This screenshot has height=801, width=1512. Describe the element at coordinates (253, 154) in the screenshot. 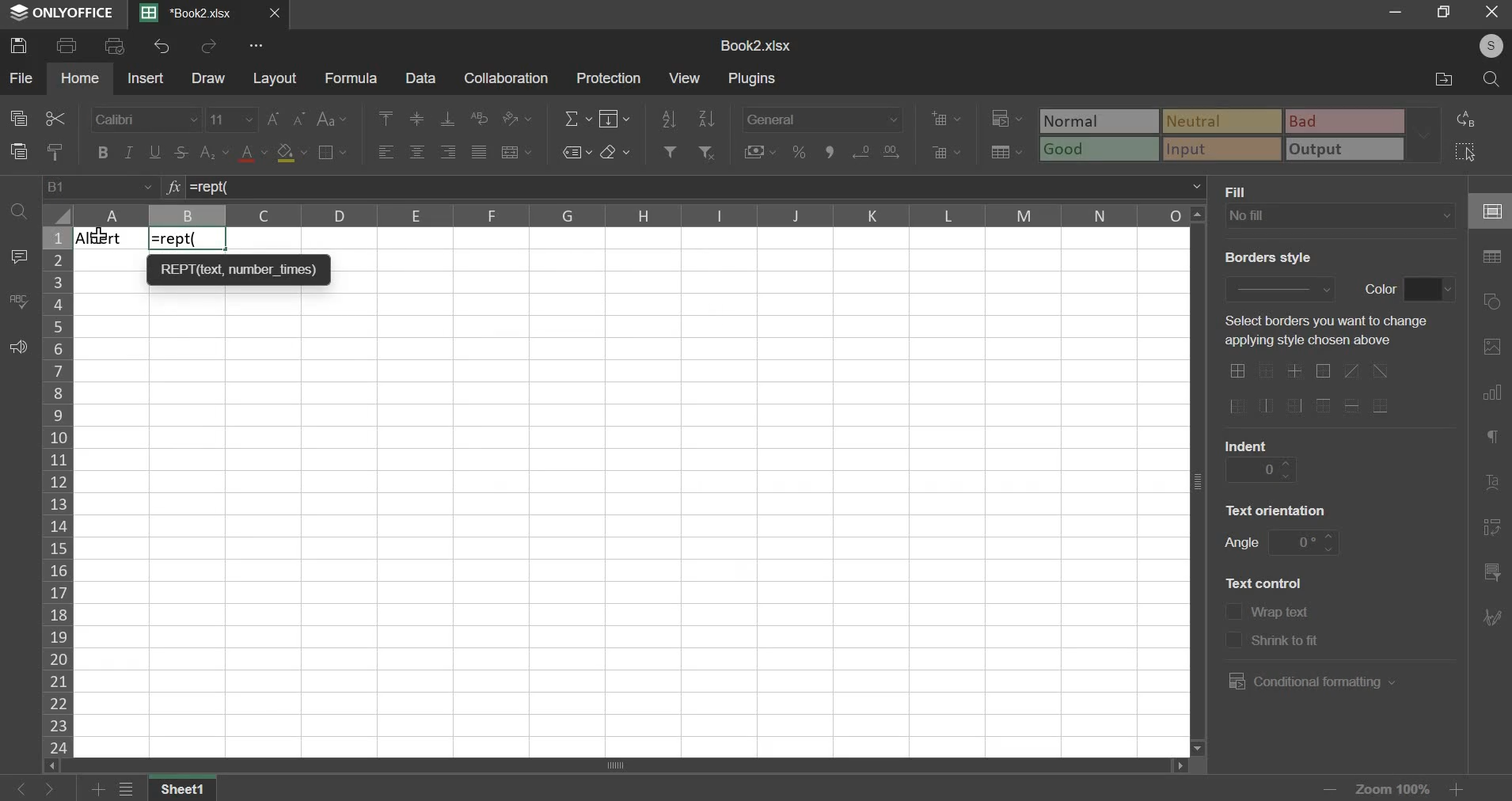

I see `text color` at that location.